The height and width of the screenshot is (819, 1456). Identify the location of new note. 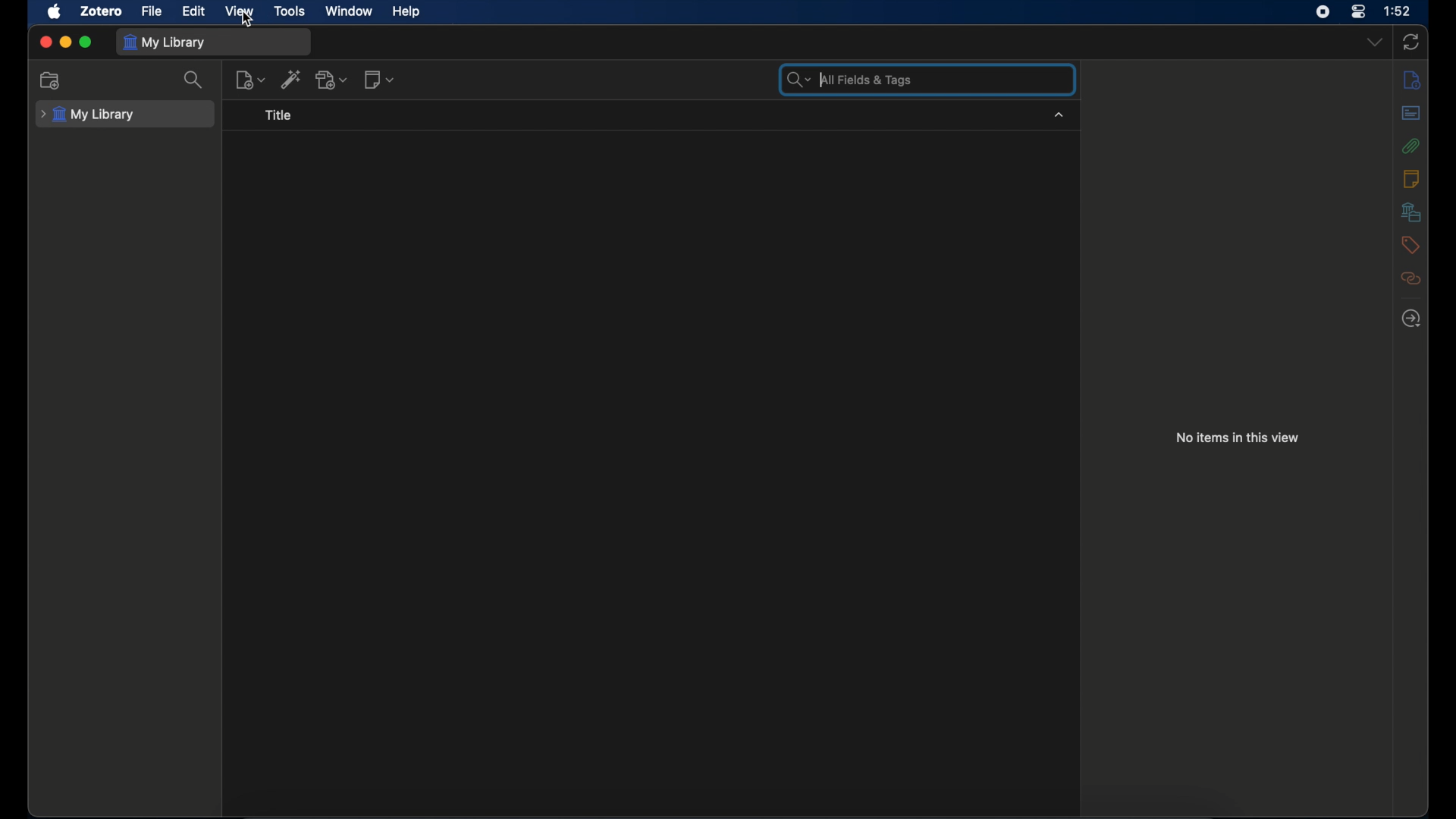
(381, 80).